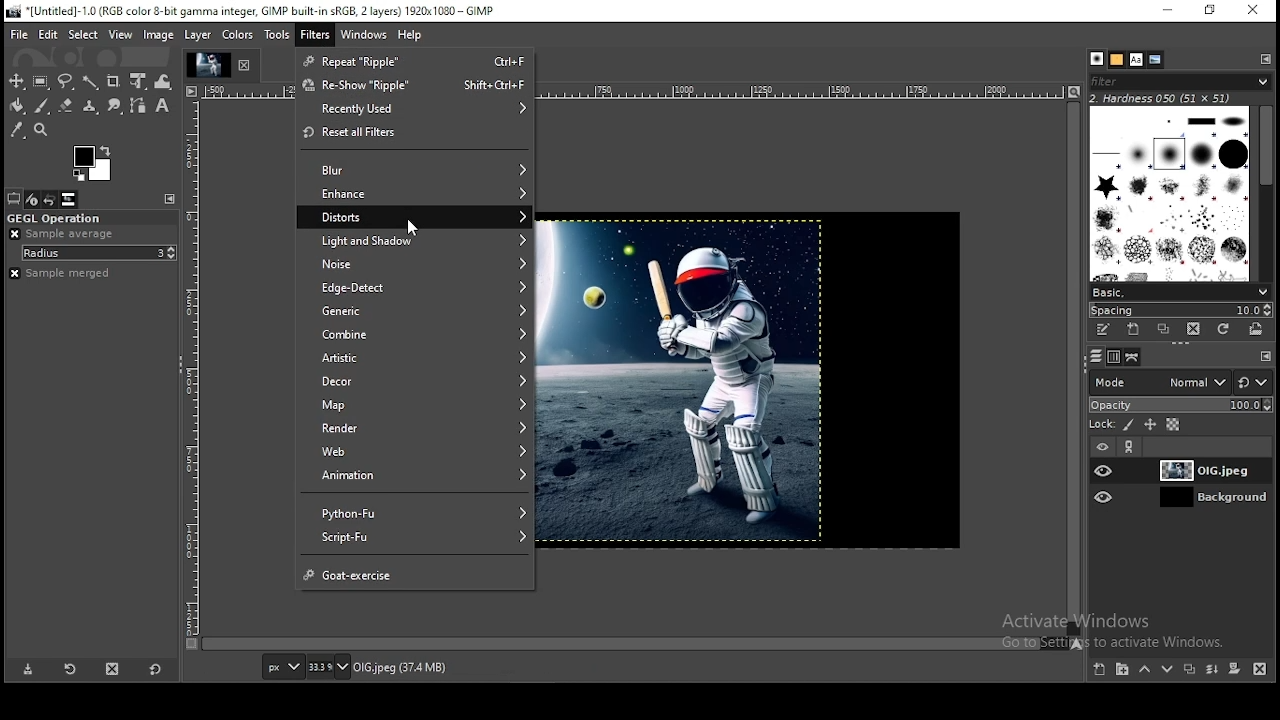 The height and width of the screenshot is (720, 1280). What do you see at coordinates (416, 63) in the screenshot?
I see `repeat "ripple"` at bounding box center [416, 63].